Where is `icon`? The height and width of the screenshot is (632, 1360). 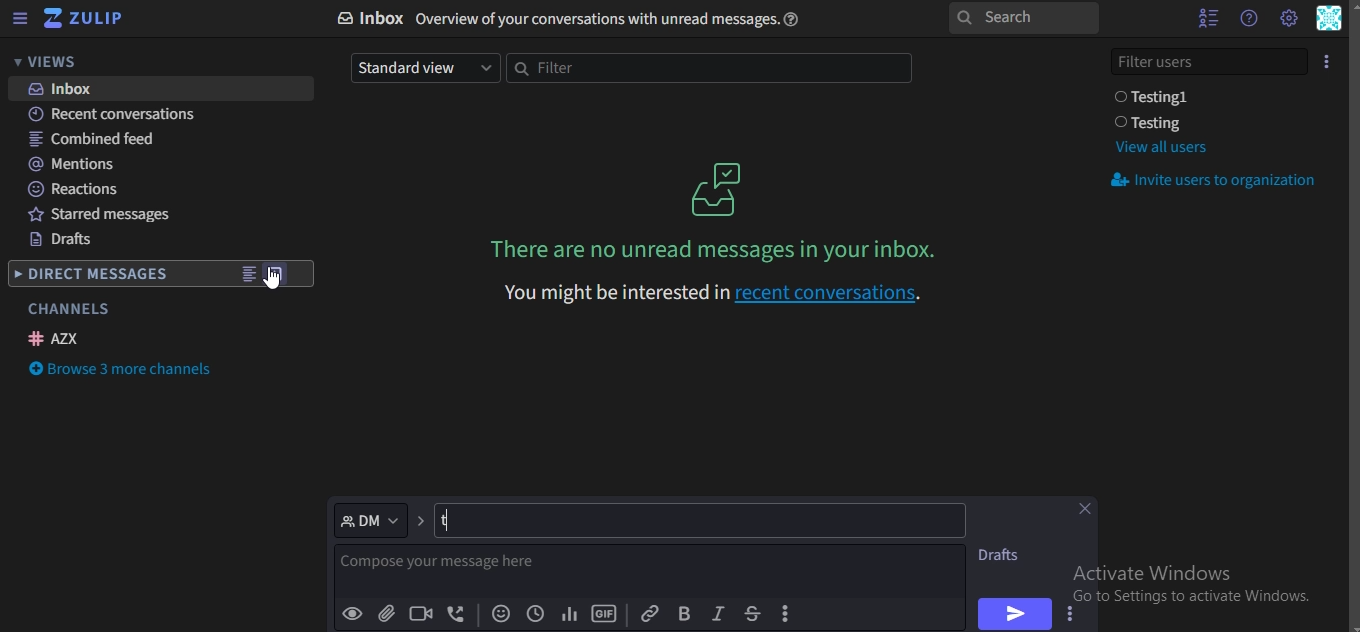 icon is located at coordinates (85, 19).